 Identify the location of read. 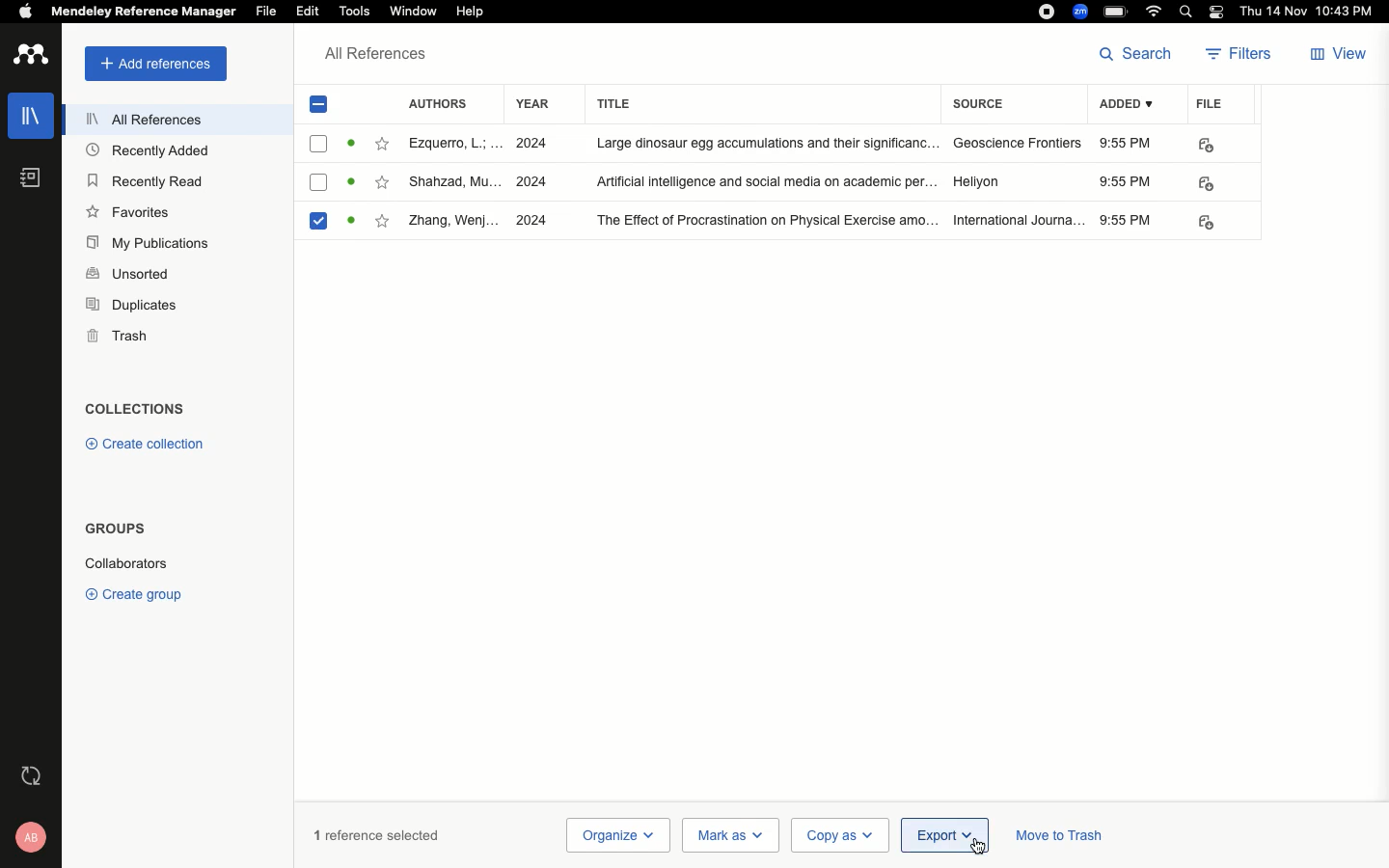
(351, 184).